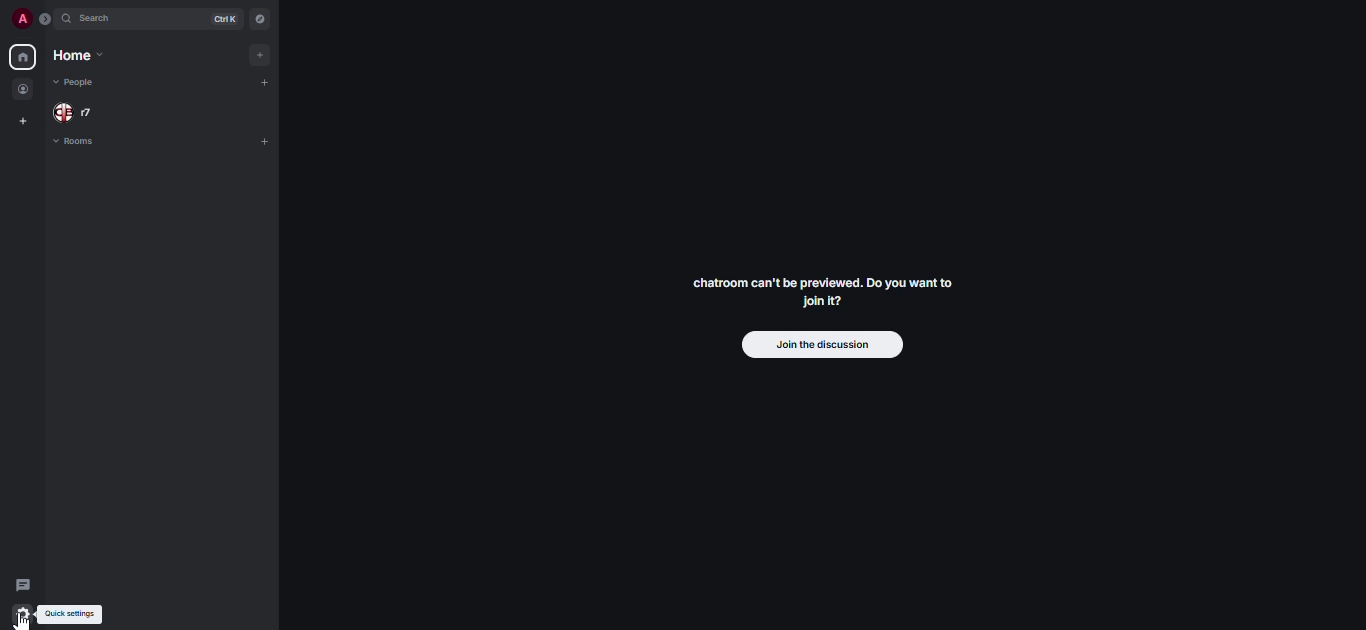 This screenshot has height=630, width=1366. I want to click on threads, so click(22, 586).